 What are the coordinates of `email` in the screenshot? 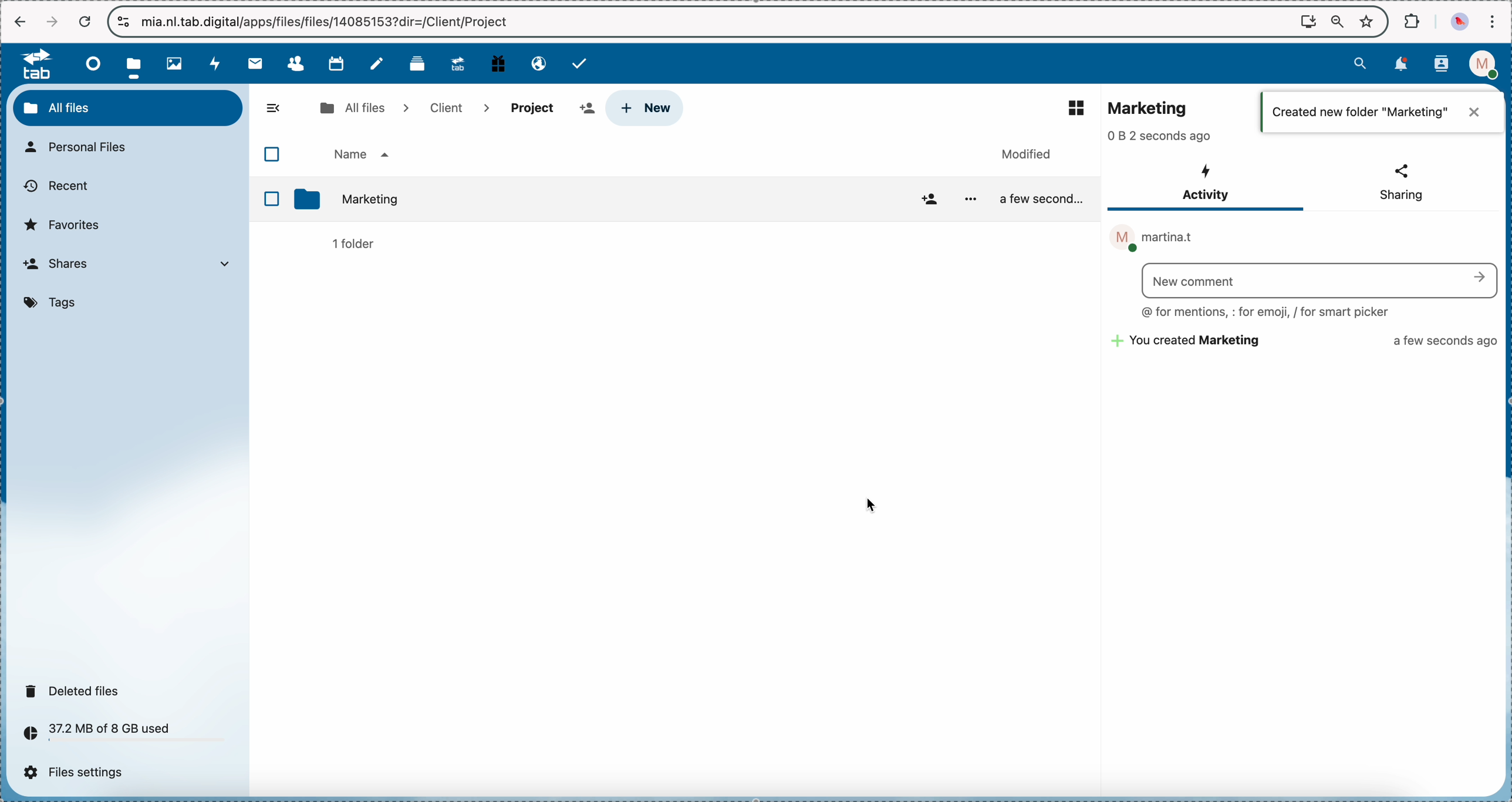 It's located at (538, 62).